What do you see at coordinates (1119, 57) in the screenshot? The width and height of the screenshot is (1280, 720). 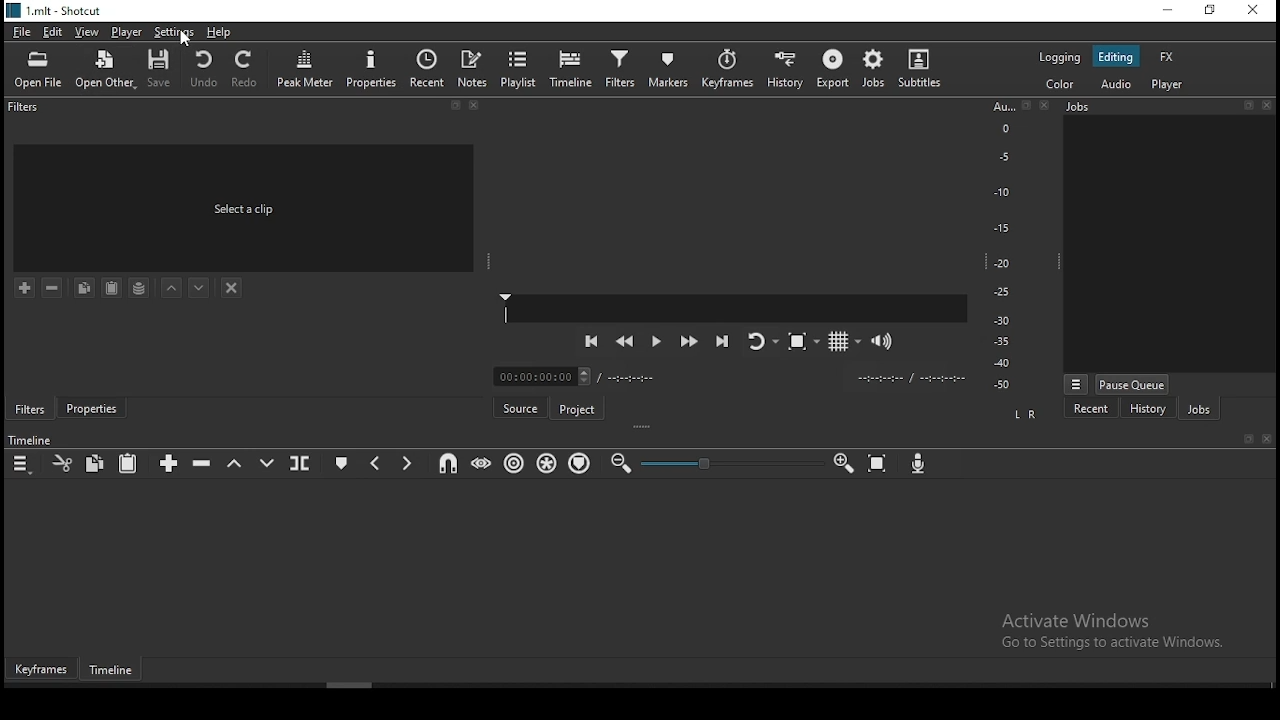 I see `editing` at bounding box center [1119, 57].